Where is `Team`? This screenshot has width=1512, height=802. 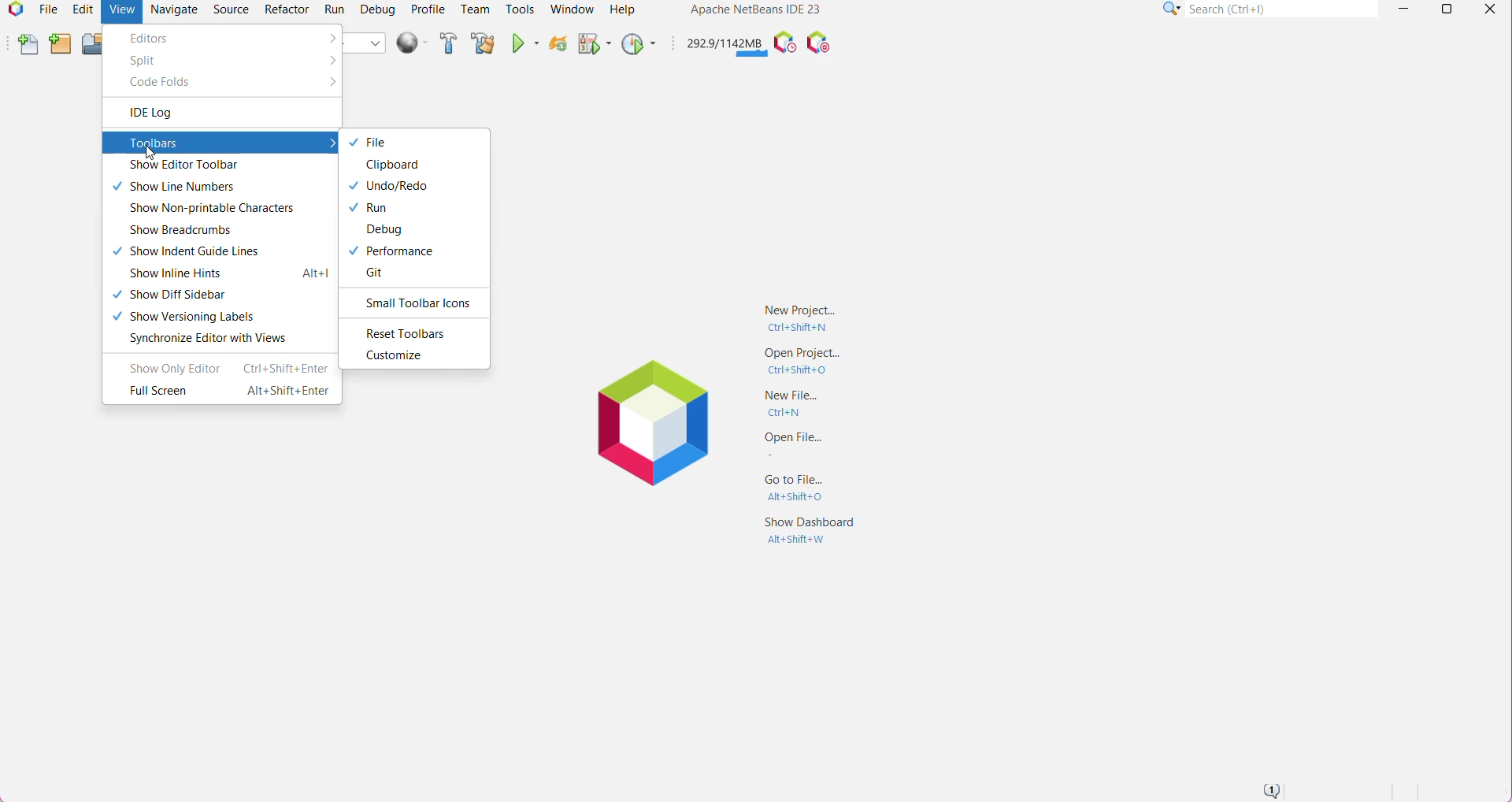 Team is located at coordinates (475, 9).